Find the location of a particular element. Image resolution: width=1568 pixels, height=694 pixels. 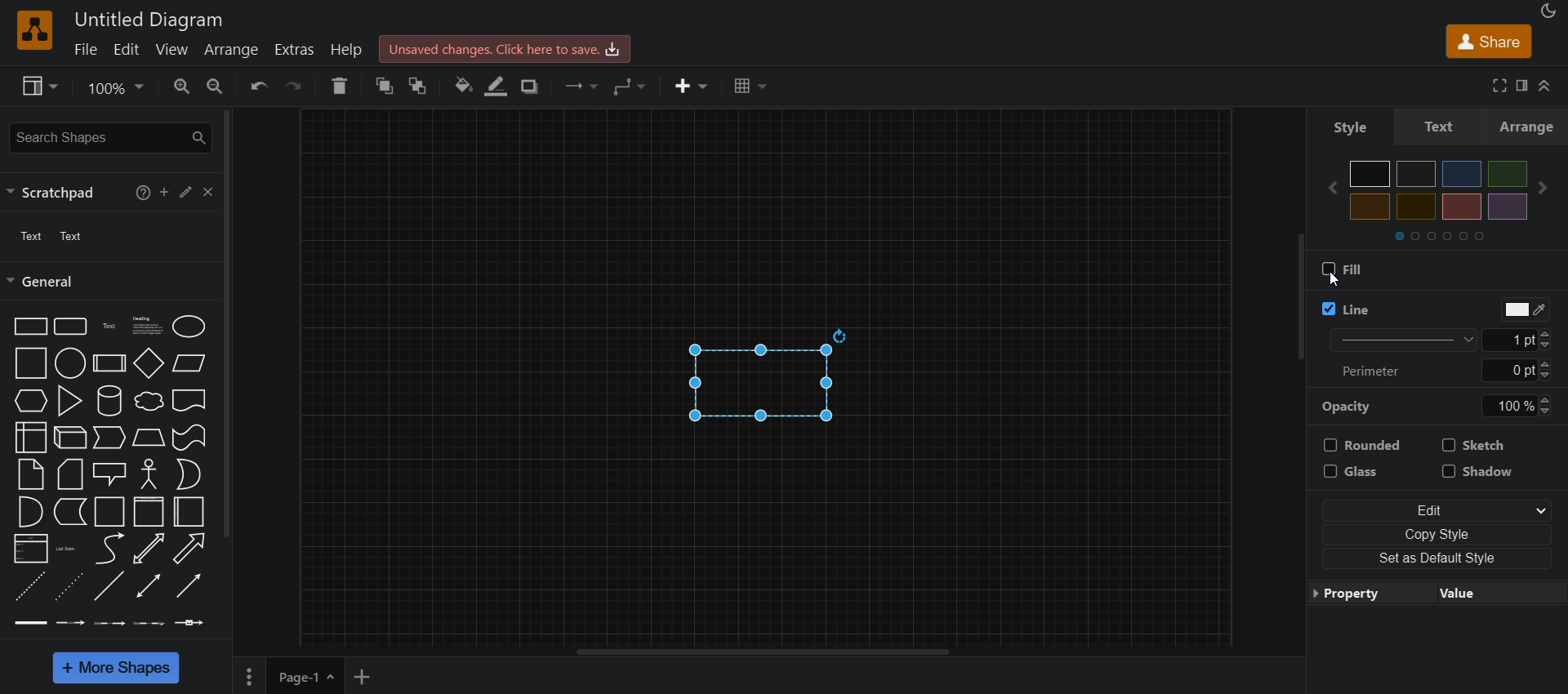

line is located at coordinates (1346, 309).